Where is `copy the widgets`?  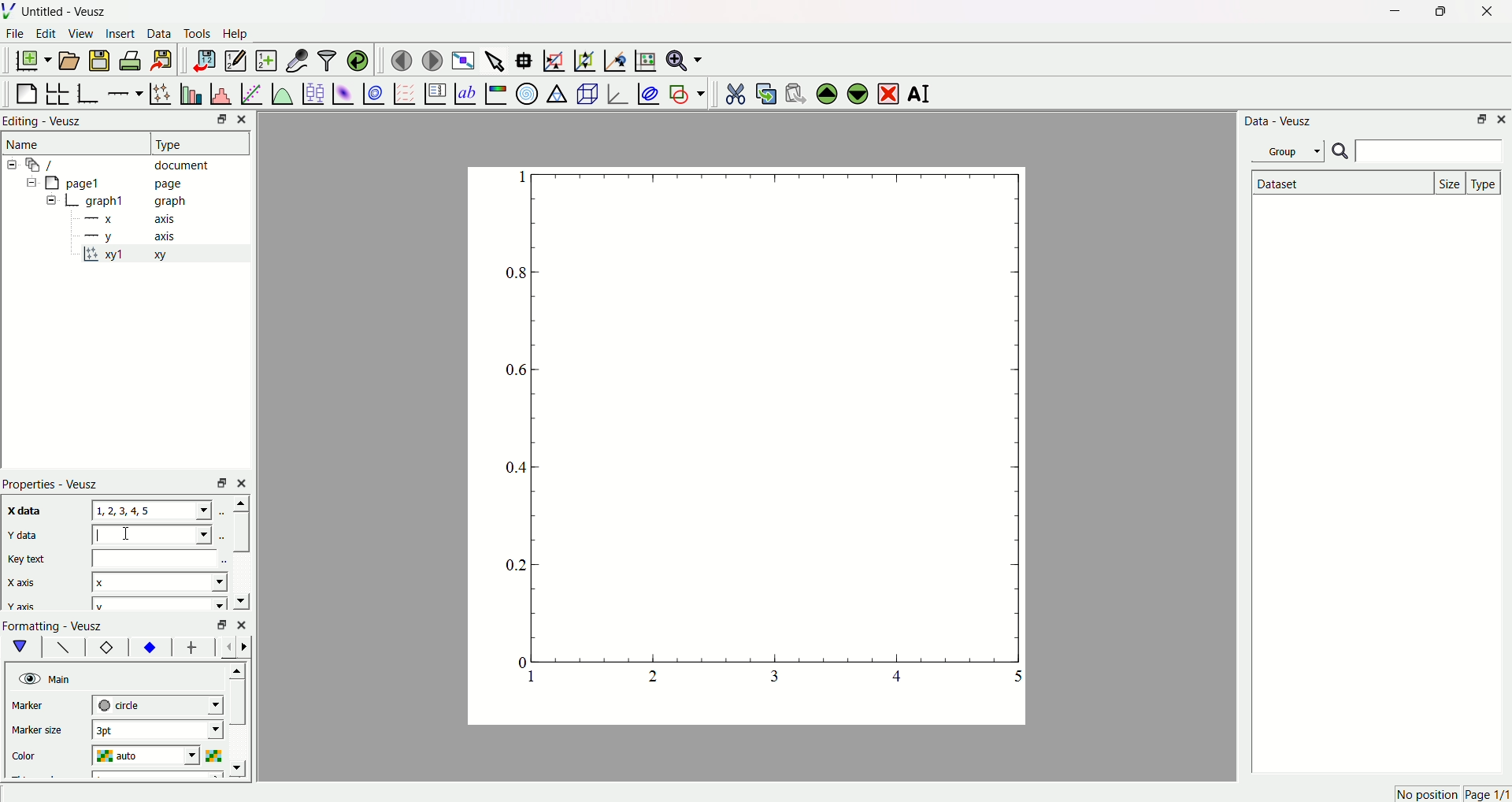
copy the widgets is located at coordinates (765, 91).